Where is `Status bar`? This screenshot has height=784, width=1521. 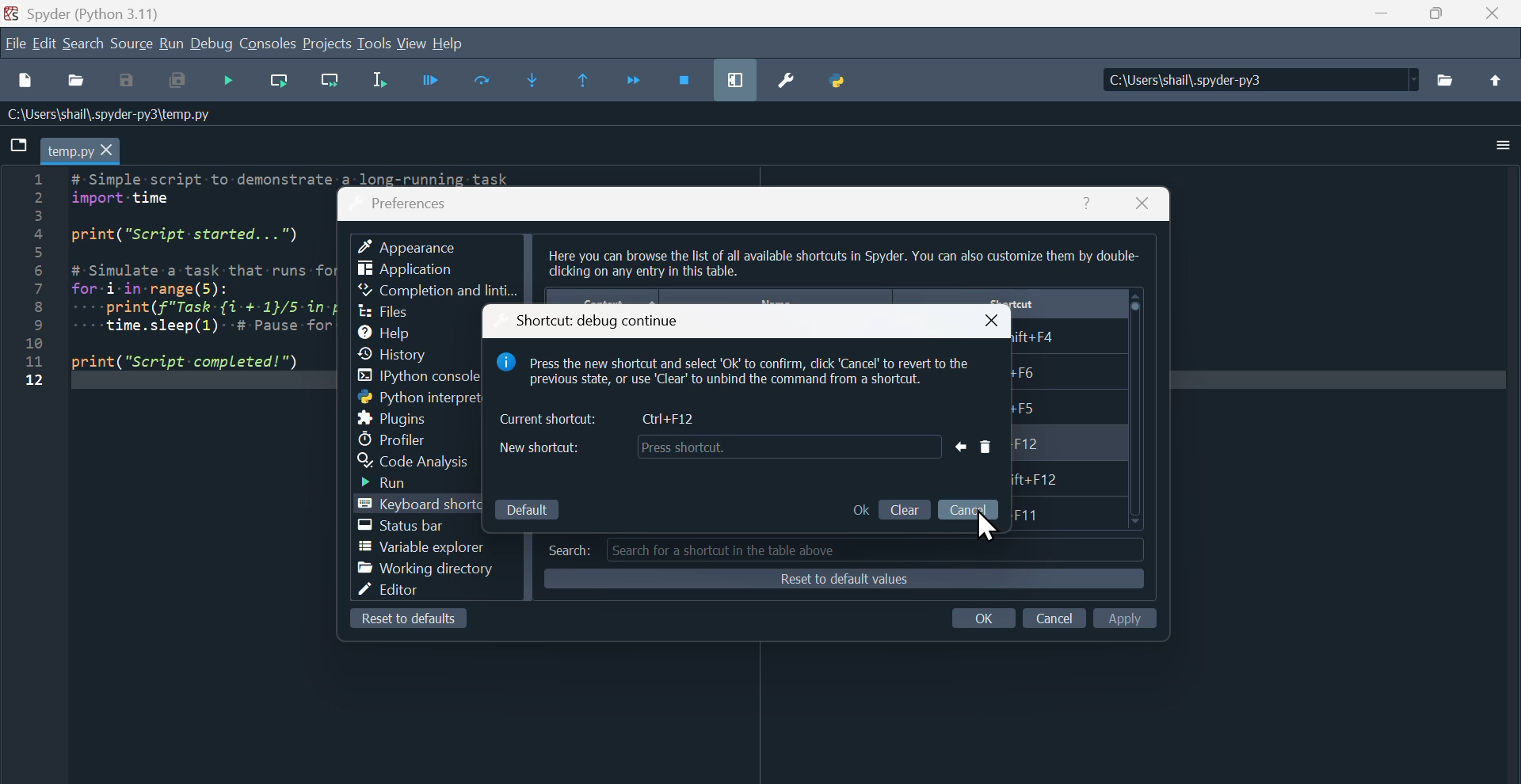
Status bar is located at coordinates (410, 526).